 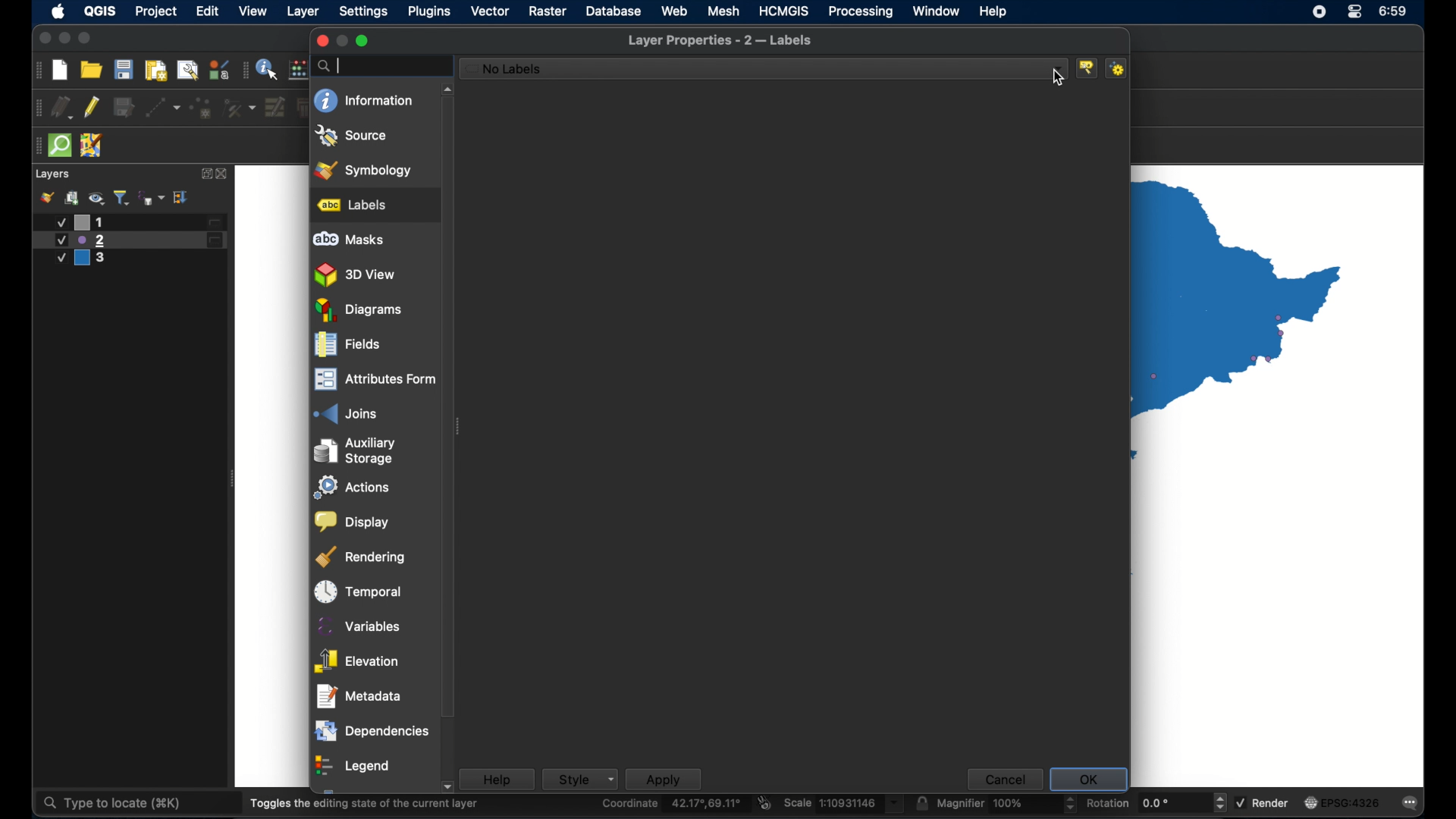 I want to click on QGIS, so click(x=102, y=11).